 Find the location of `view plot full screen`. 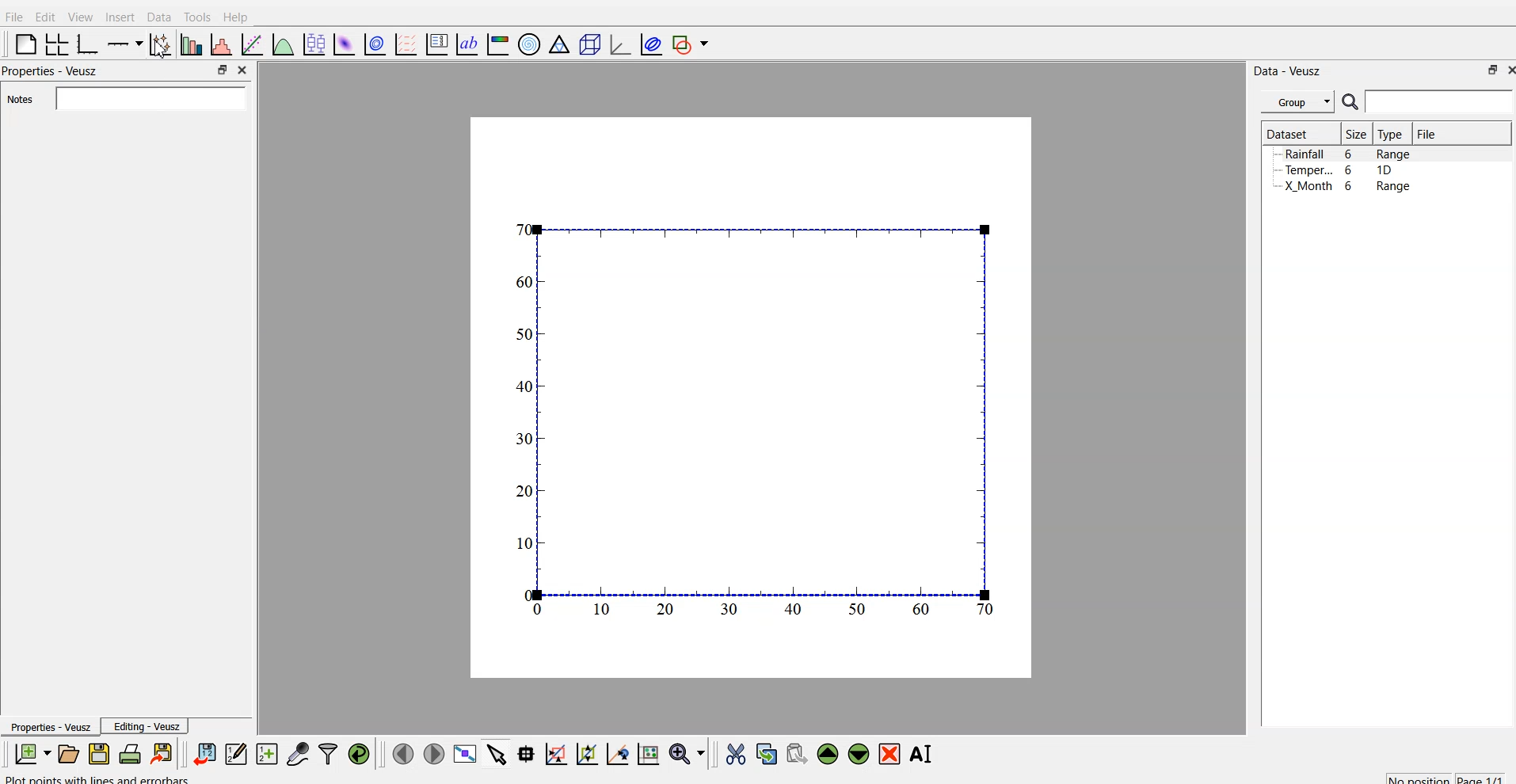

view plot full screen is located at coordinates (465, 754).